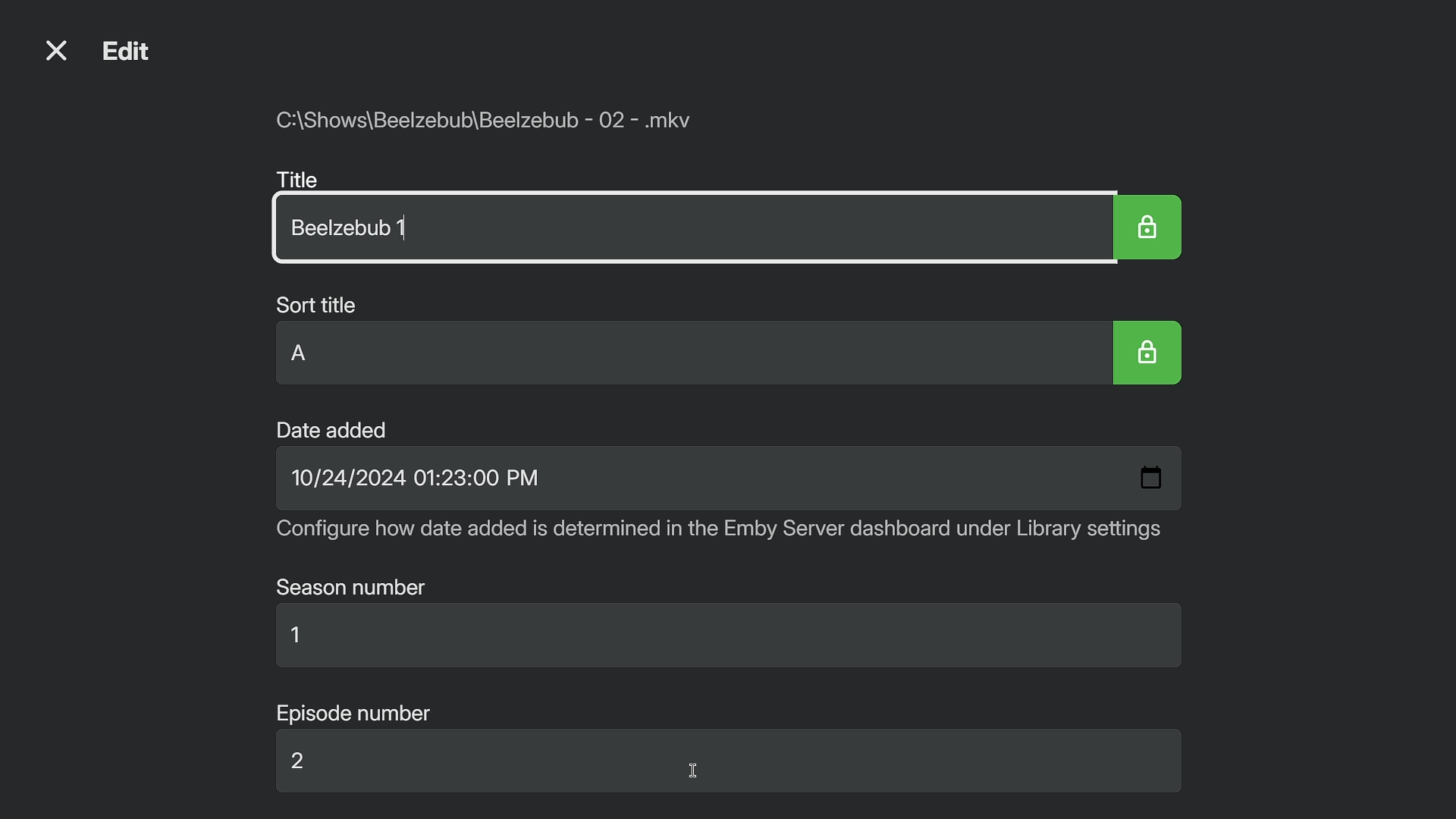 The image size is (1456, 819). Describe the element at coordinates (719, 535) in the screenshot. I see `Configure how date added is determined` at that location.